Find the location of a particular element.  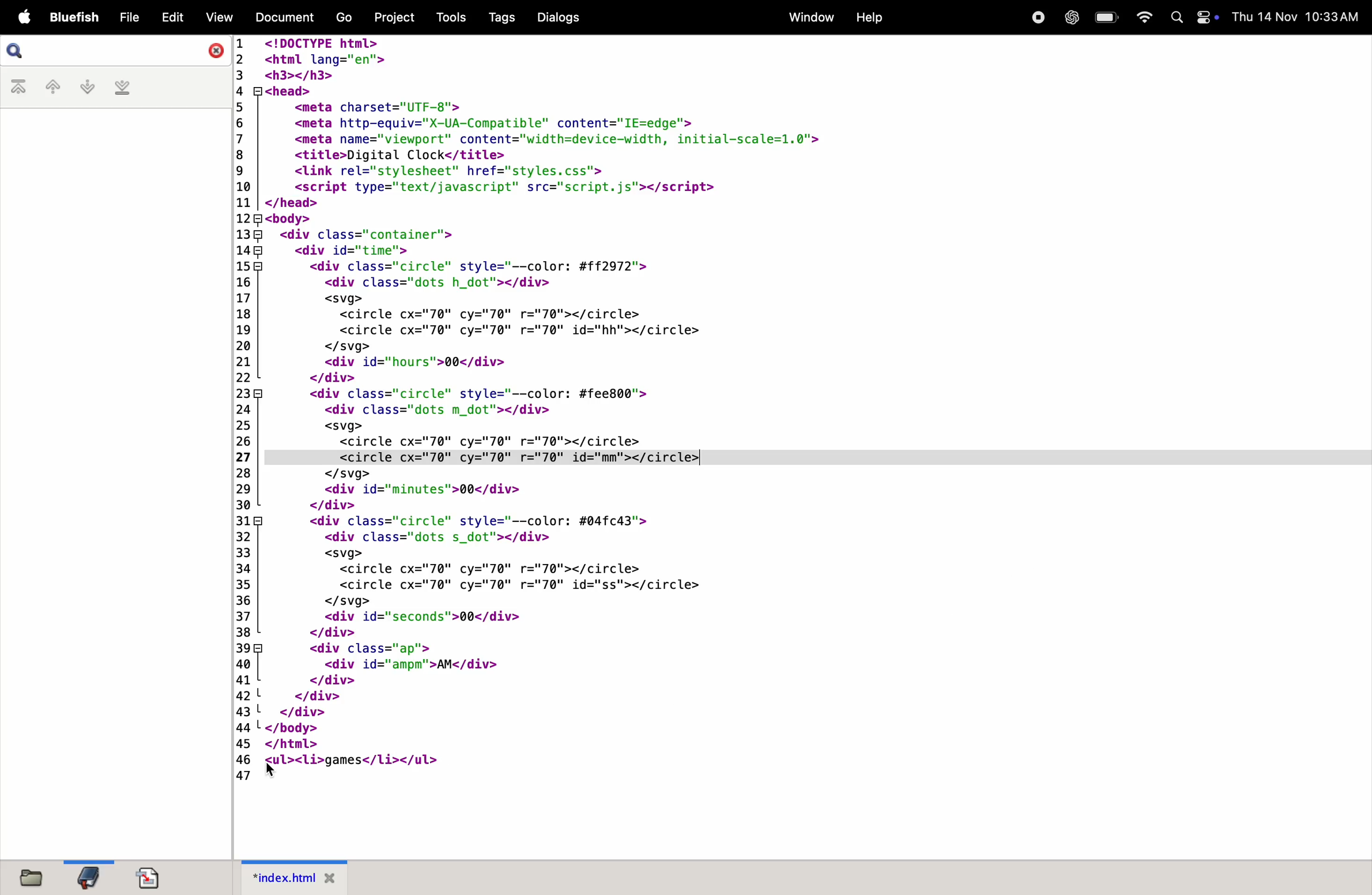

bluefish is located at coordinates (71, 16).